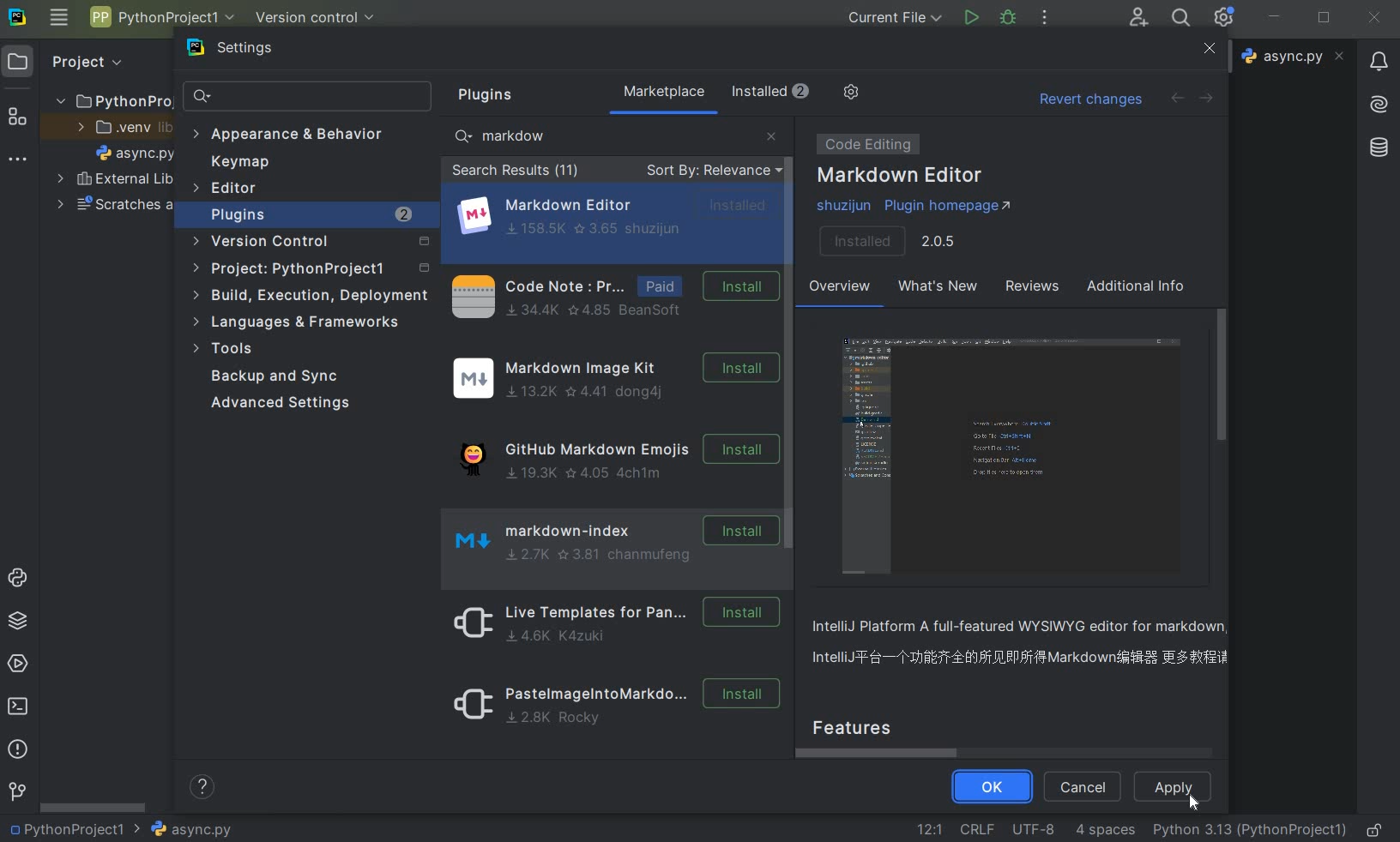  Describe the element at coordinates (1195, 804) in the screenshot. I see `cursor` at that location.